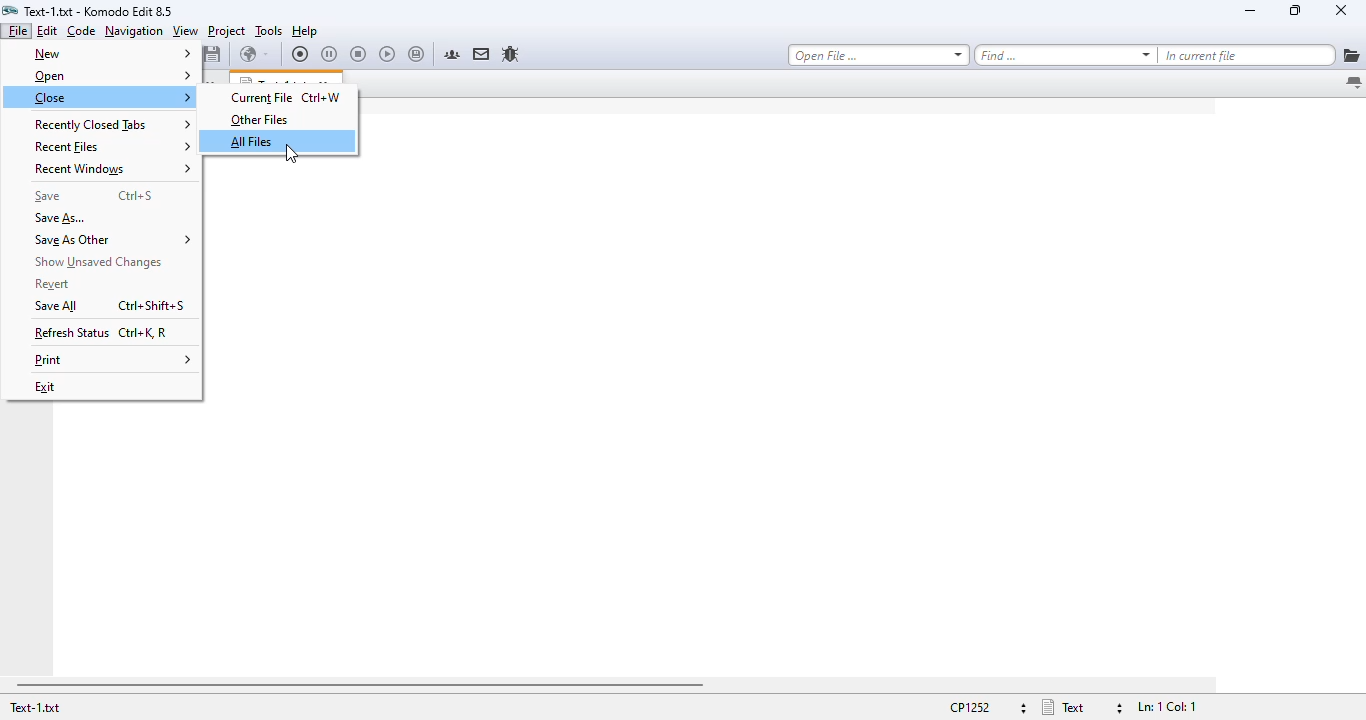 Image resolution: width=1366 pixels, height=720 pixels. Describe the element at coordinates (260, 120) in the screenshot. I see `other files` at that location.